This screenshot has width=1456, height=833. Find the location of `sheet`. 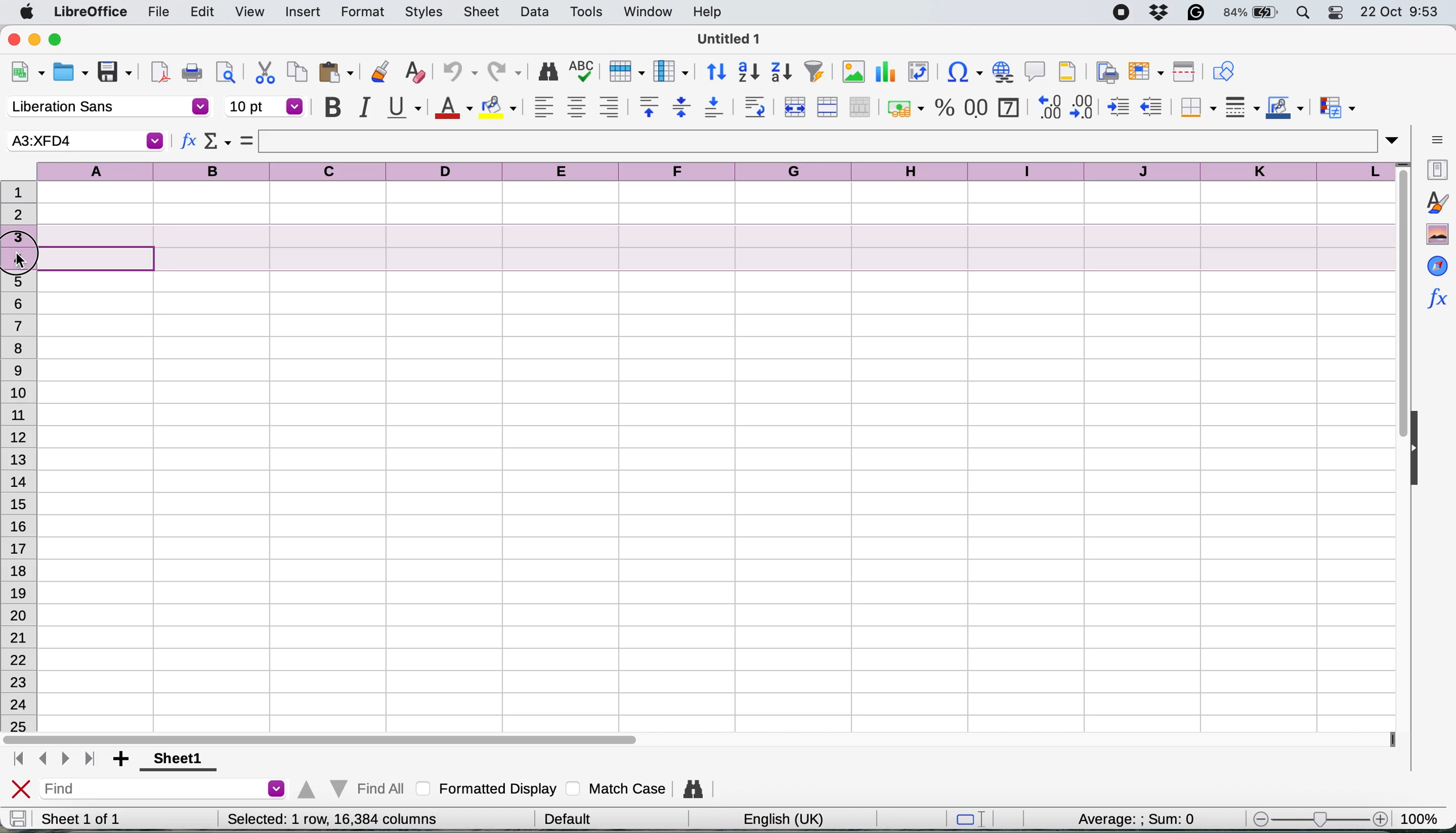

sheet is located at coordinates (483, 11).